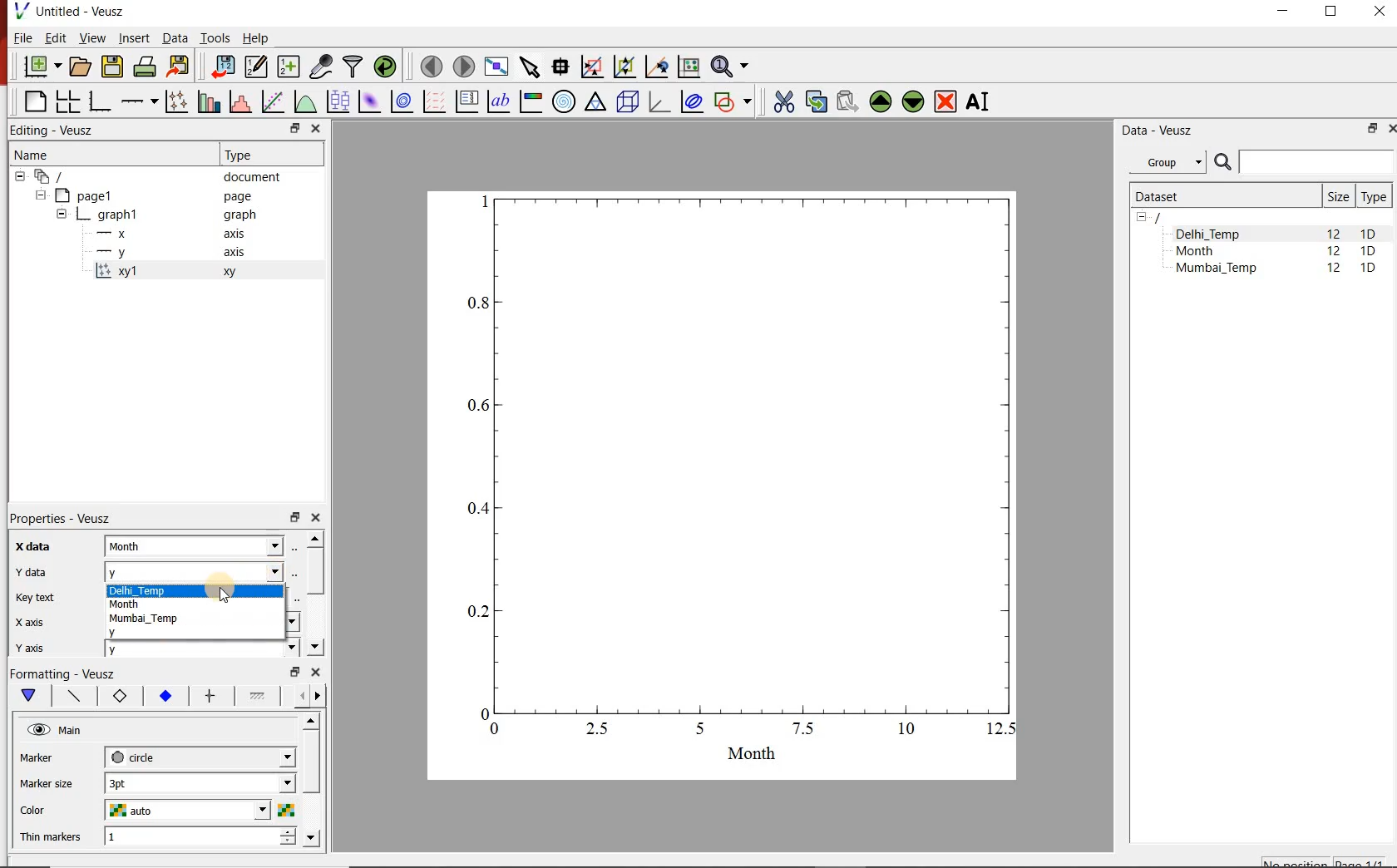  Describe the element at coordinates (216, 38) in the screenshot. I see `Tools` at that location.